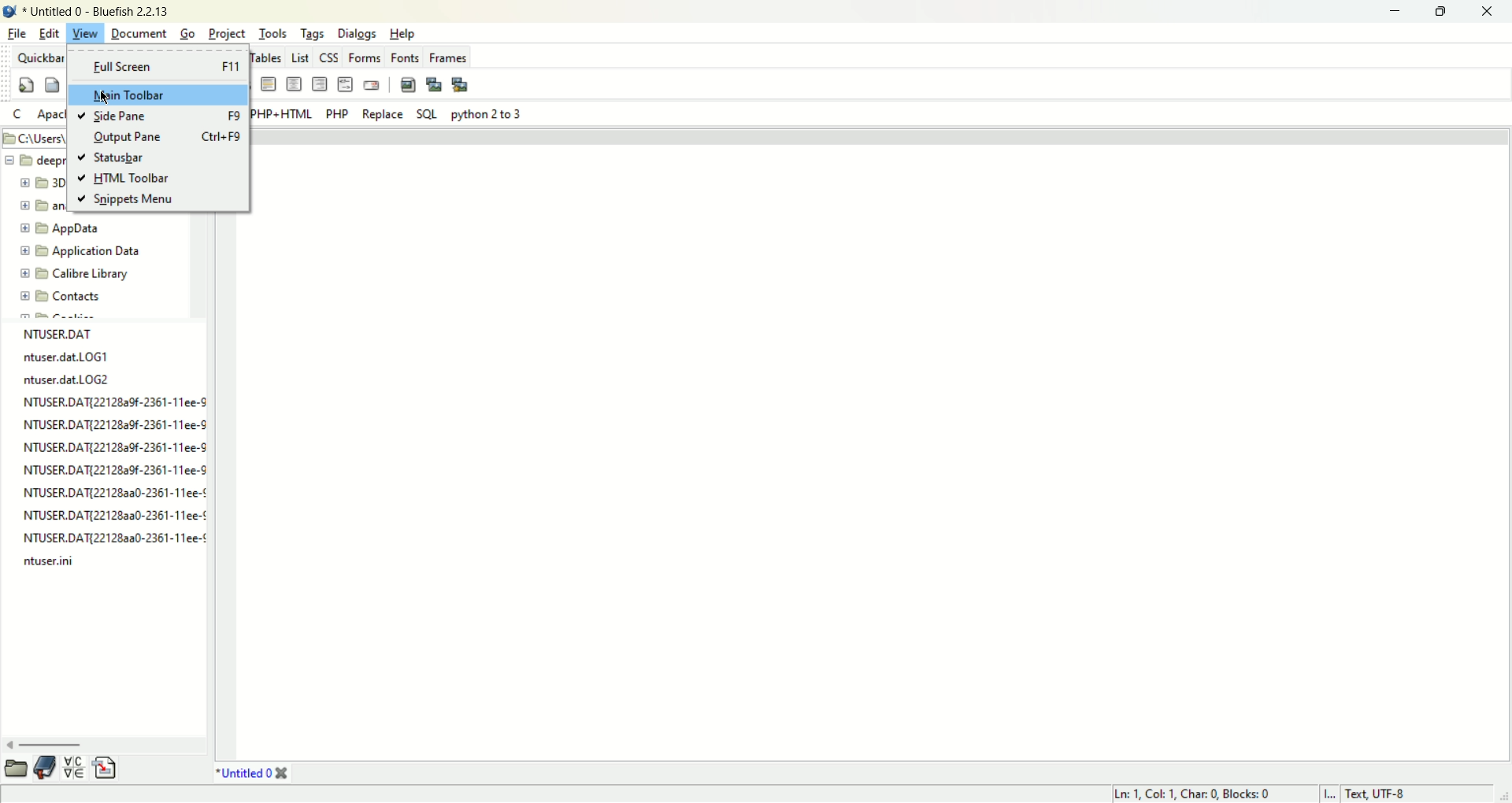 This screenshot has width=1512, height=803. What do you see at coordinates (114, 157) in the screenshot?
I see `status bar` at bounding box center [114, 157].